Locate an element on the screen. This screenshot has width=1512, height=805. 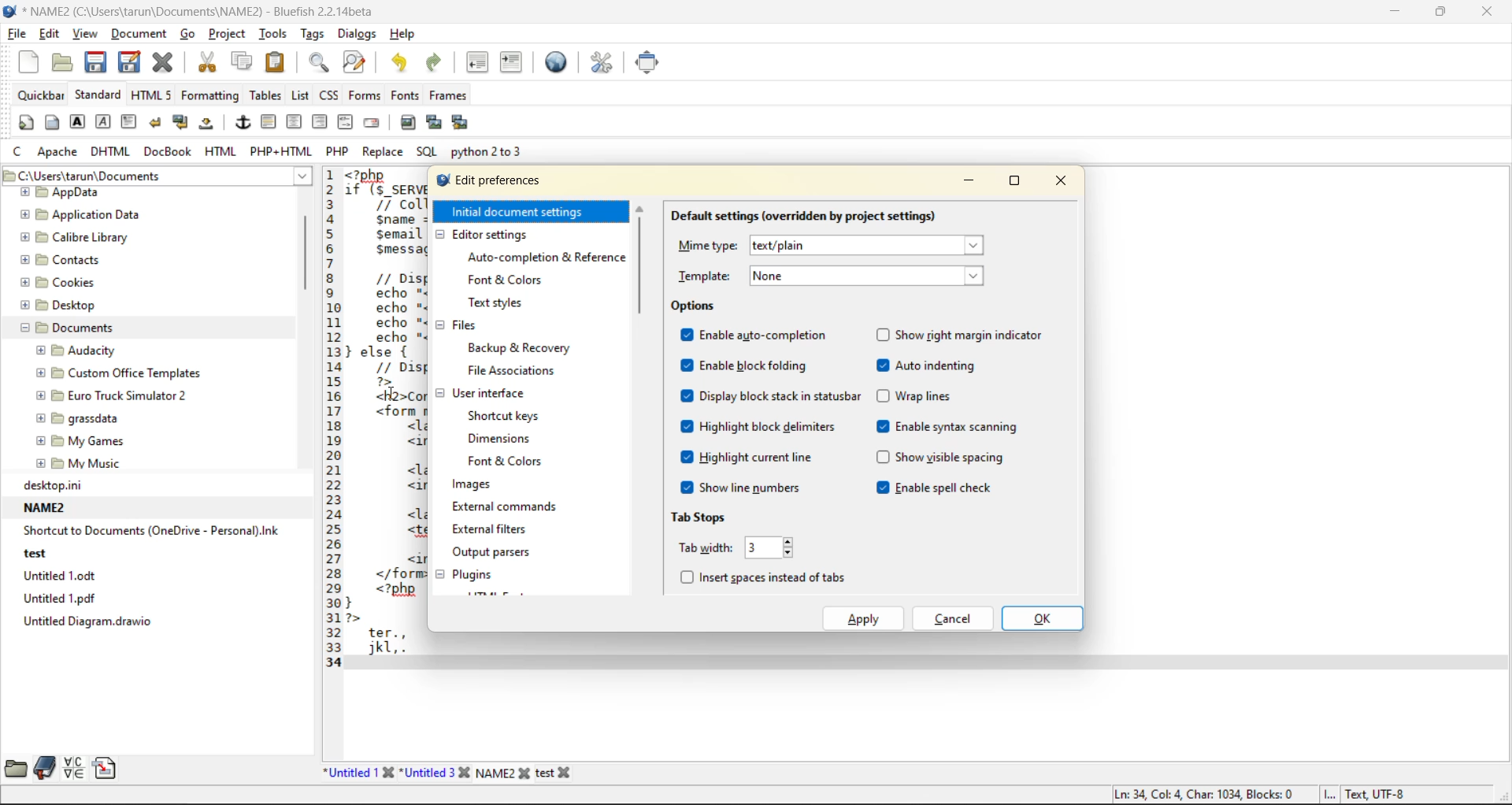
highlight current line is located at coordinates (752, 458).